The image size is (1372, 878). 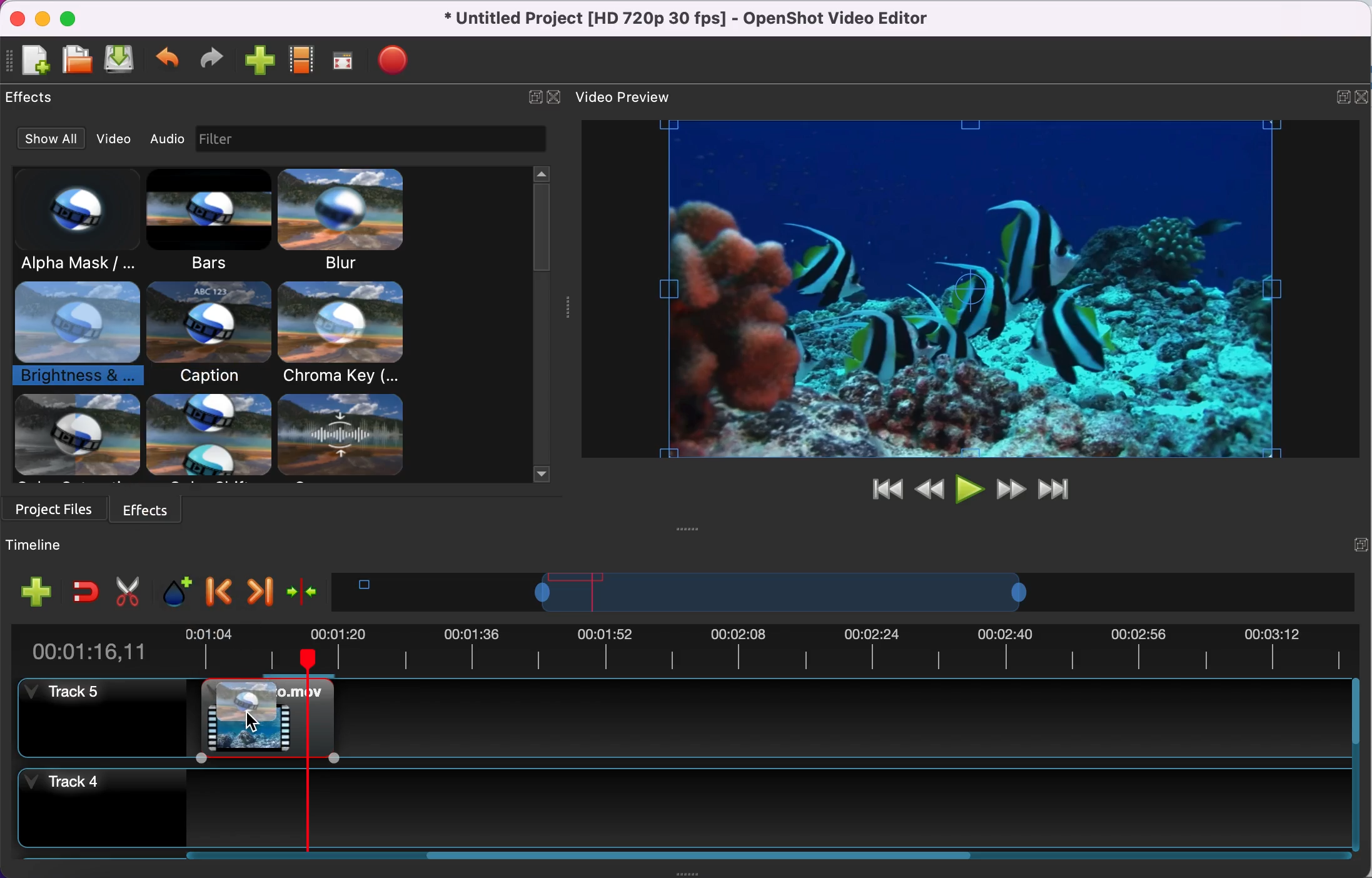 I want to click on expand/hide, so click(x=1360, y=543).